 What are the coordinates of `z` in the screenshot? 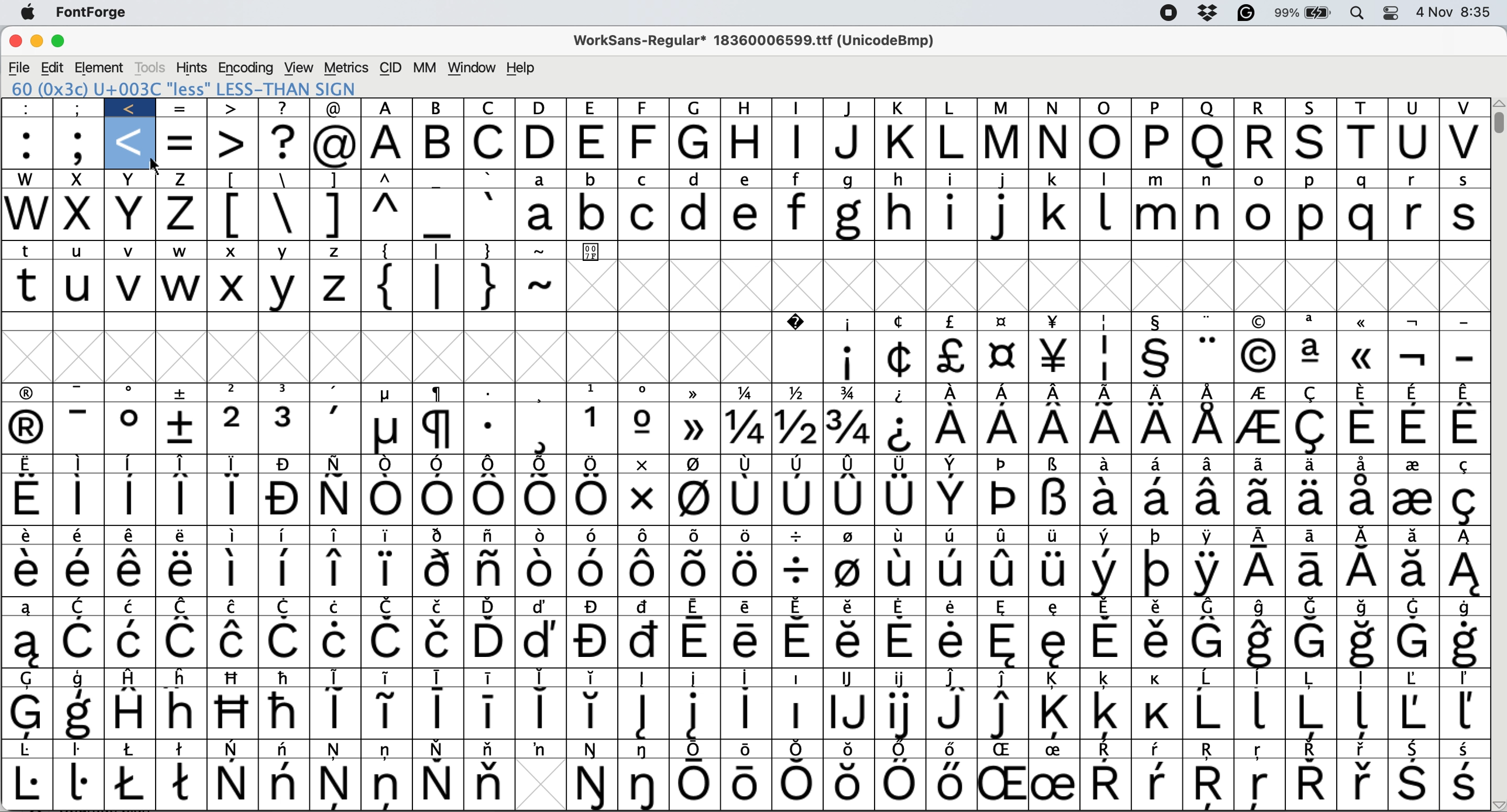 It's located at (182, 216).